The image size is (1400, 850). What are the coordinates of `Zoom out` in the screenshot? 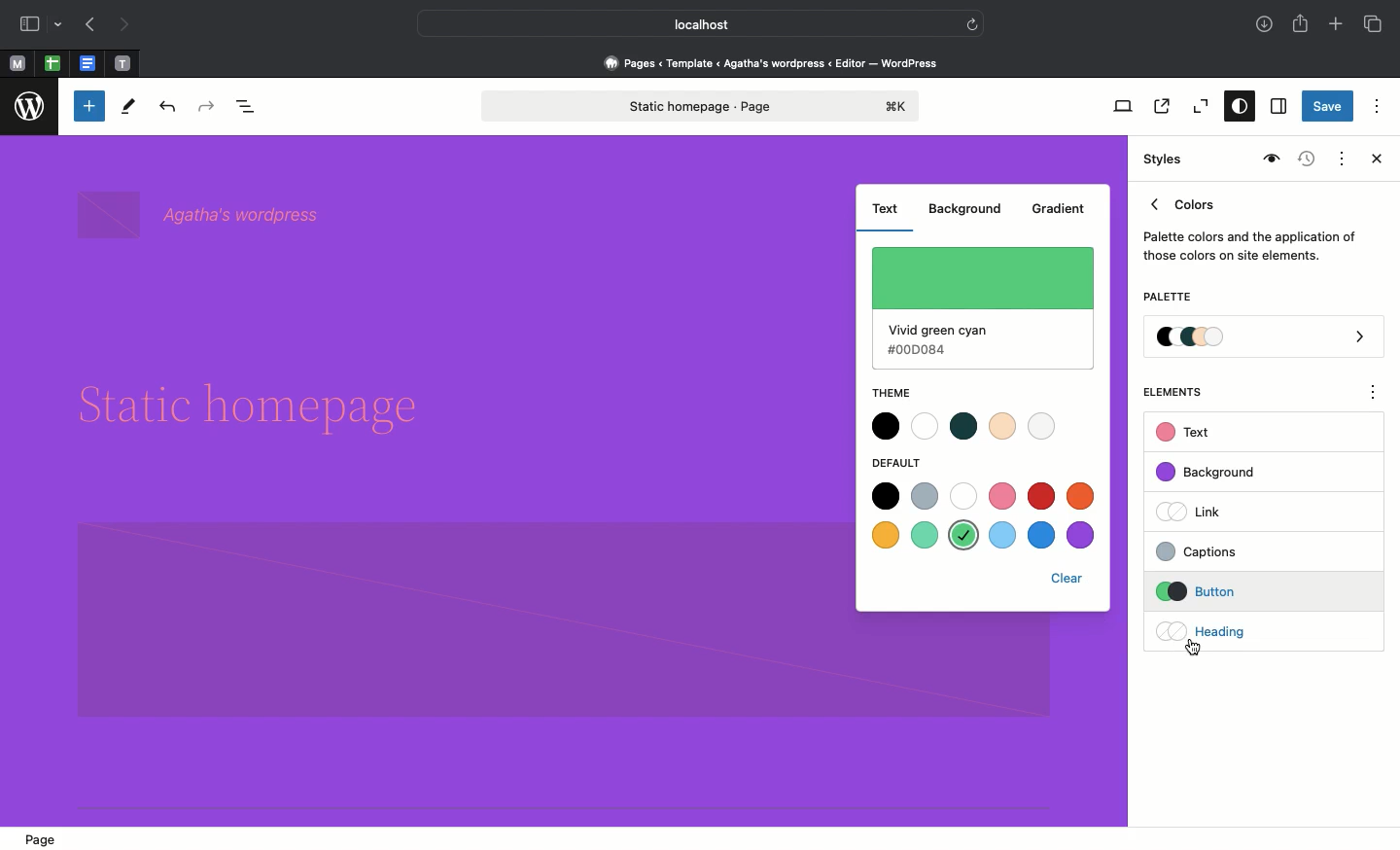 It's located at (1198, 107).